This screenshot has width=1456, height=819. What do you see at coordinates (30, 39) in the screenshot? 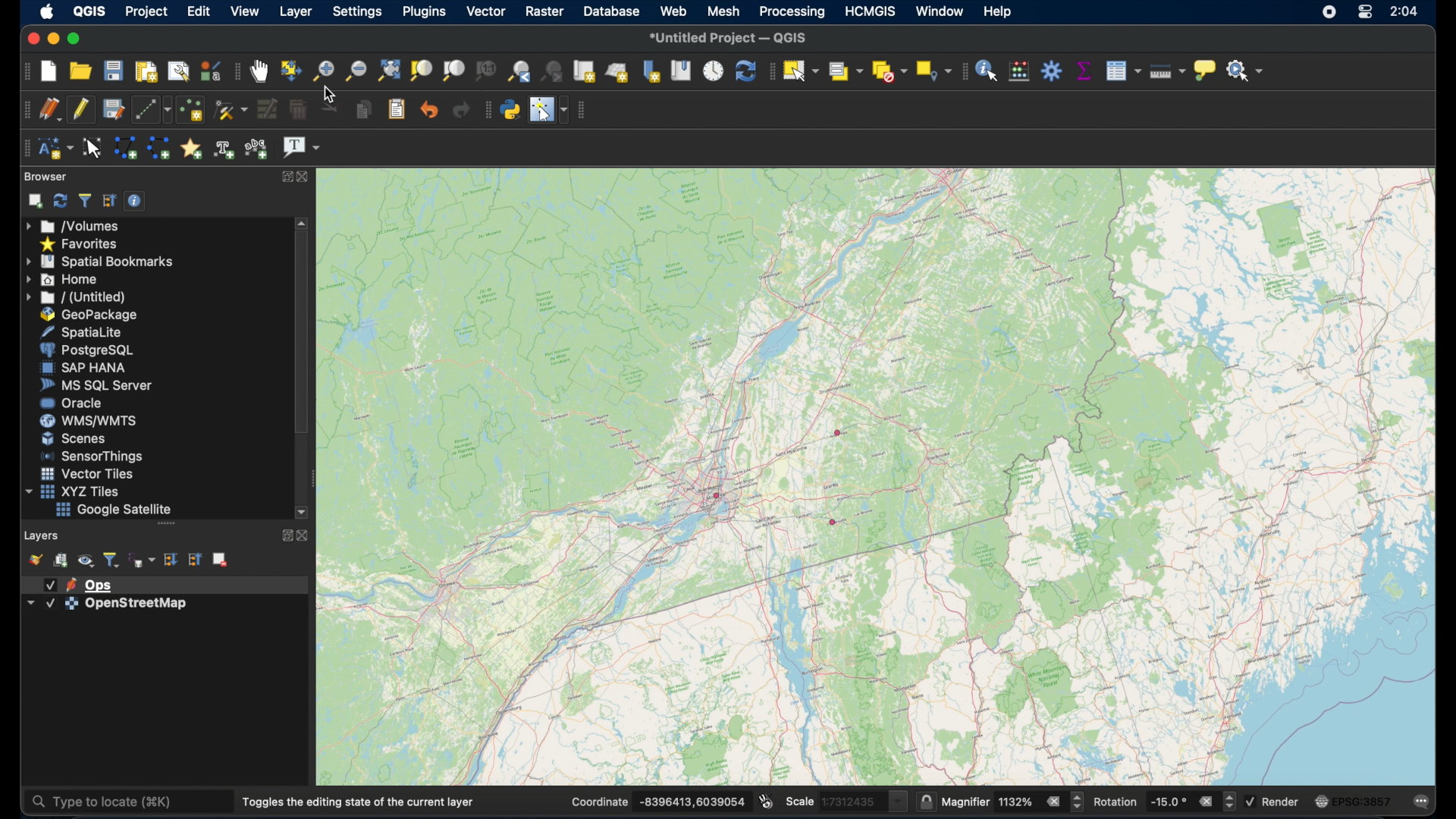
I see `close` at bounding box center [30, 39].